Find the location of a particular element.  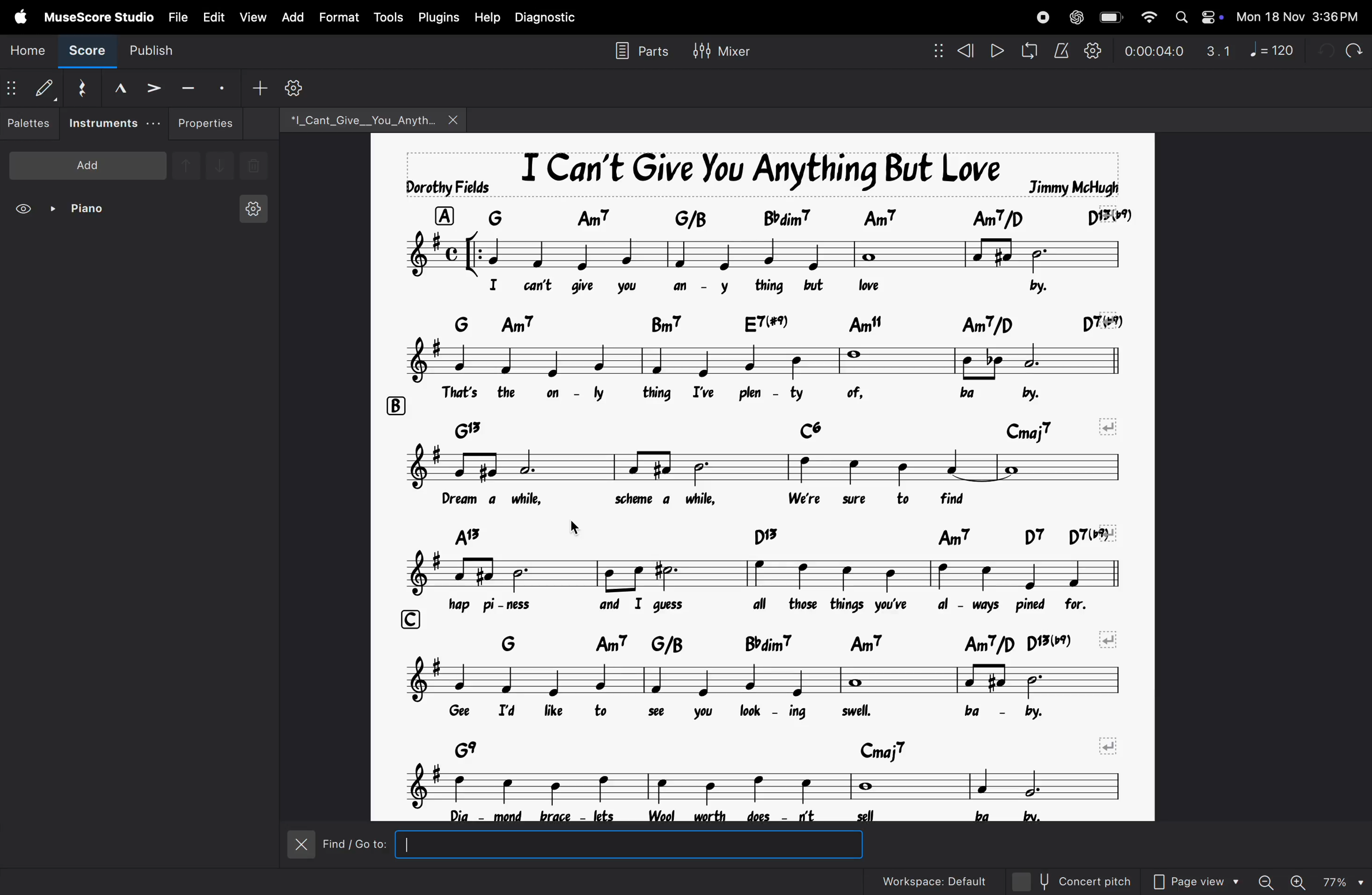

redo is located at coordinates (1355, 48).